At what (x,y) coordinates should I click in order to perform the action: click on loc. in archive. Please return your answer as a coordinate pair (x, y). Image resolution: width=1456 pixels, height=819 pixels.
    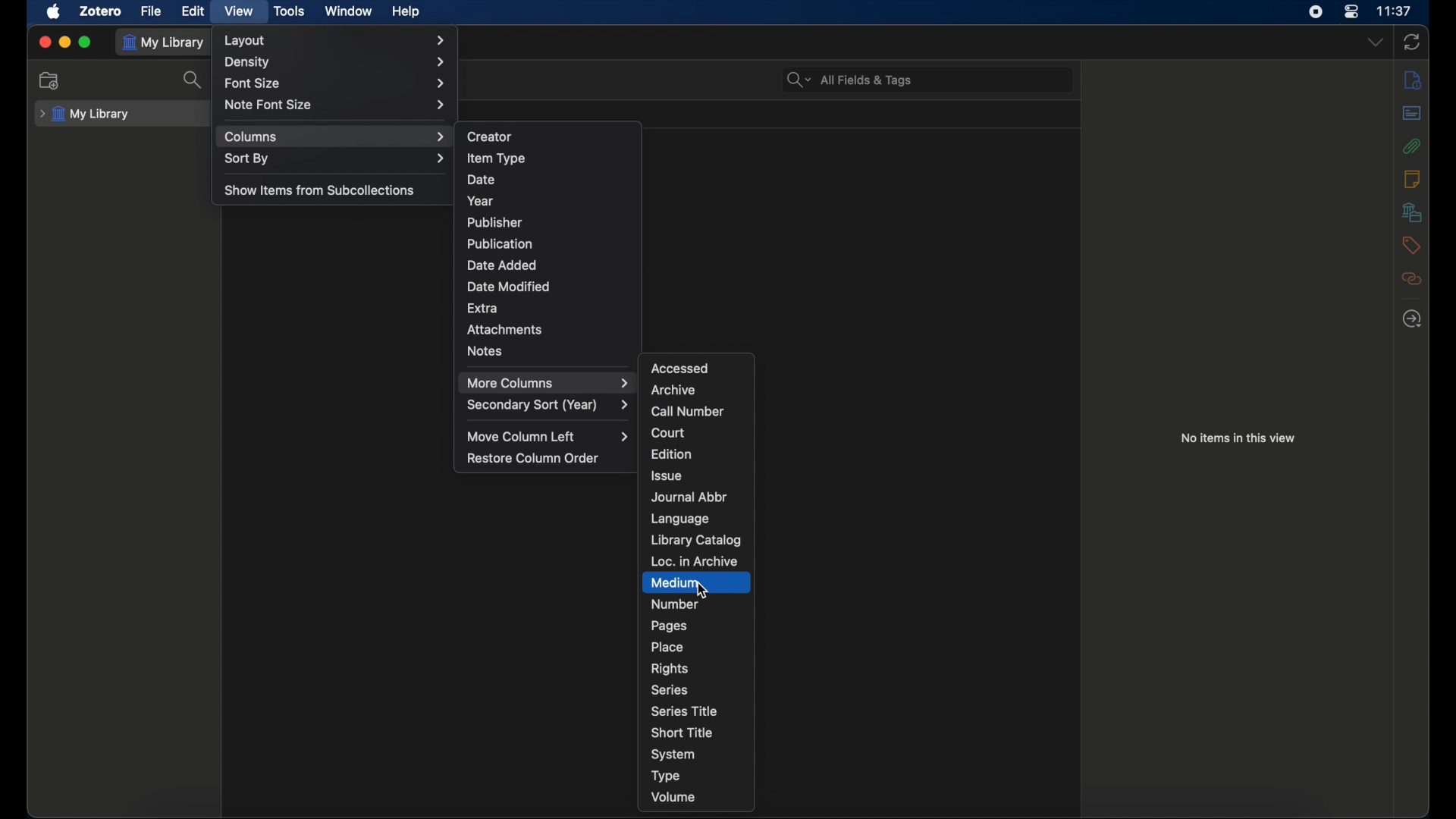
    Looking at the image, I should click on (695, 561).